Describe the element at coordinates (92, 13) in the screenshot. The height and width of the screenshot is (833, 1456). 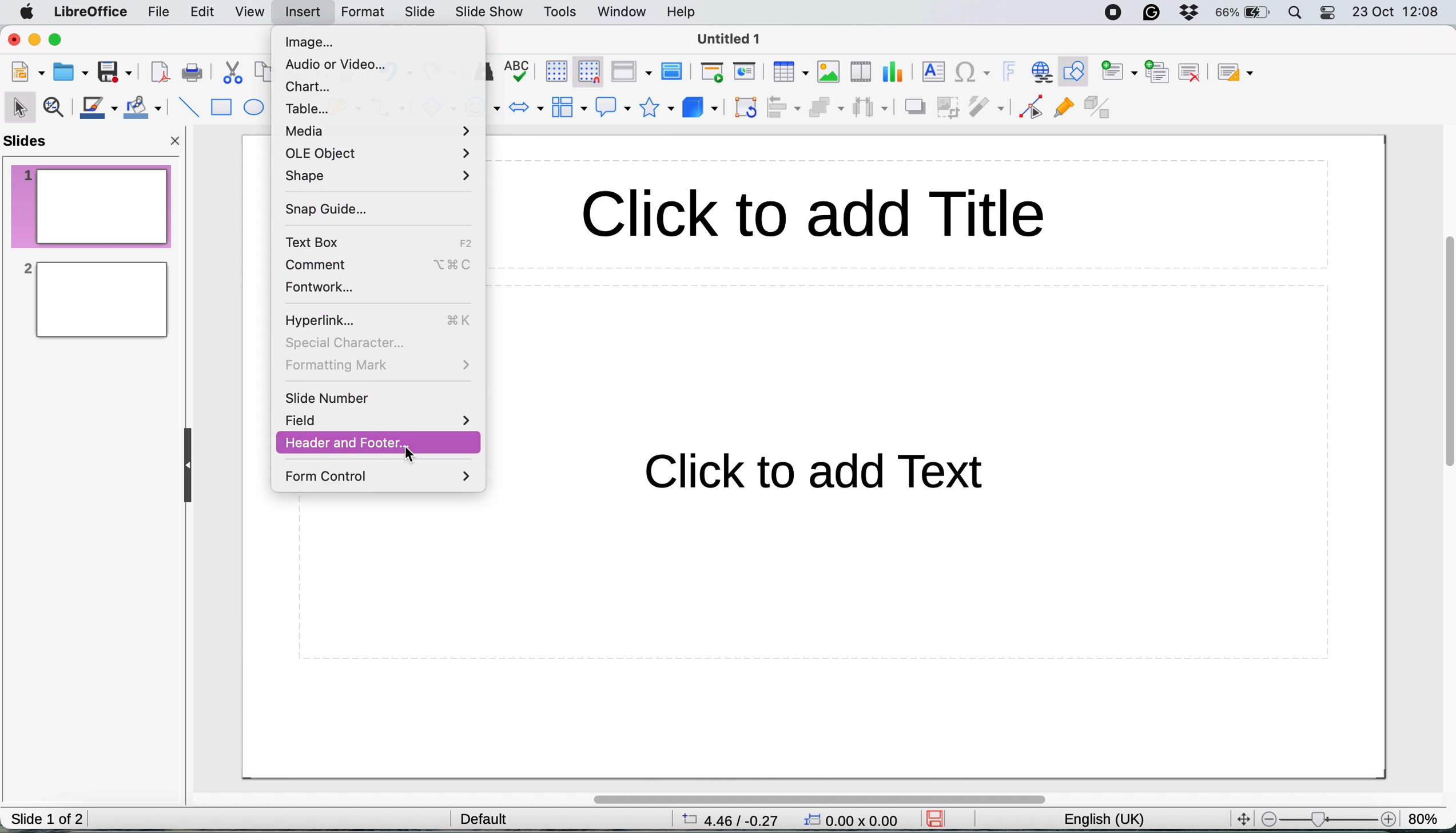
I see `libreoffice` at that location.